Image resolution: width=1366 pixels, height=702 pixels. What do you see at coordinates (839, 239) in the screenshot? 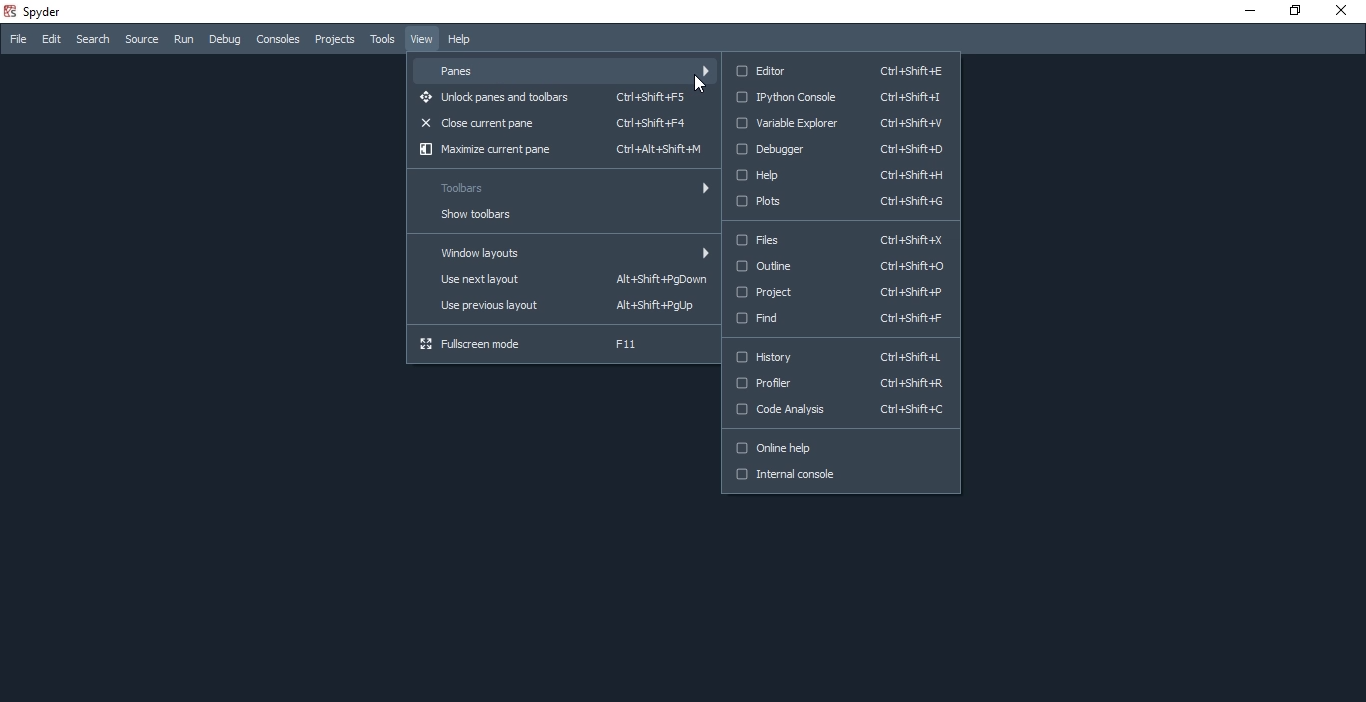
I see `Files` at bounding box center [839, 239].